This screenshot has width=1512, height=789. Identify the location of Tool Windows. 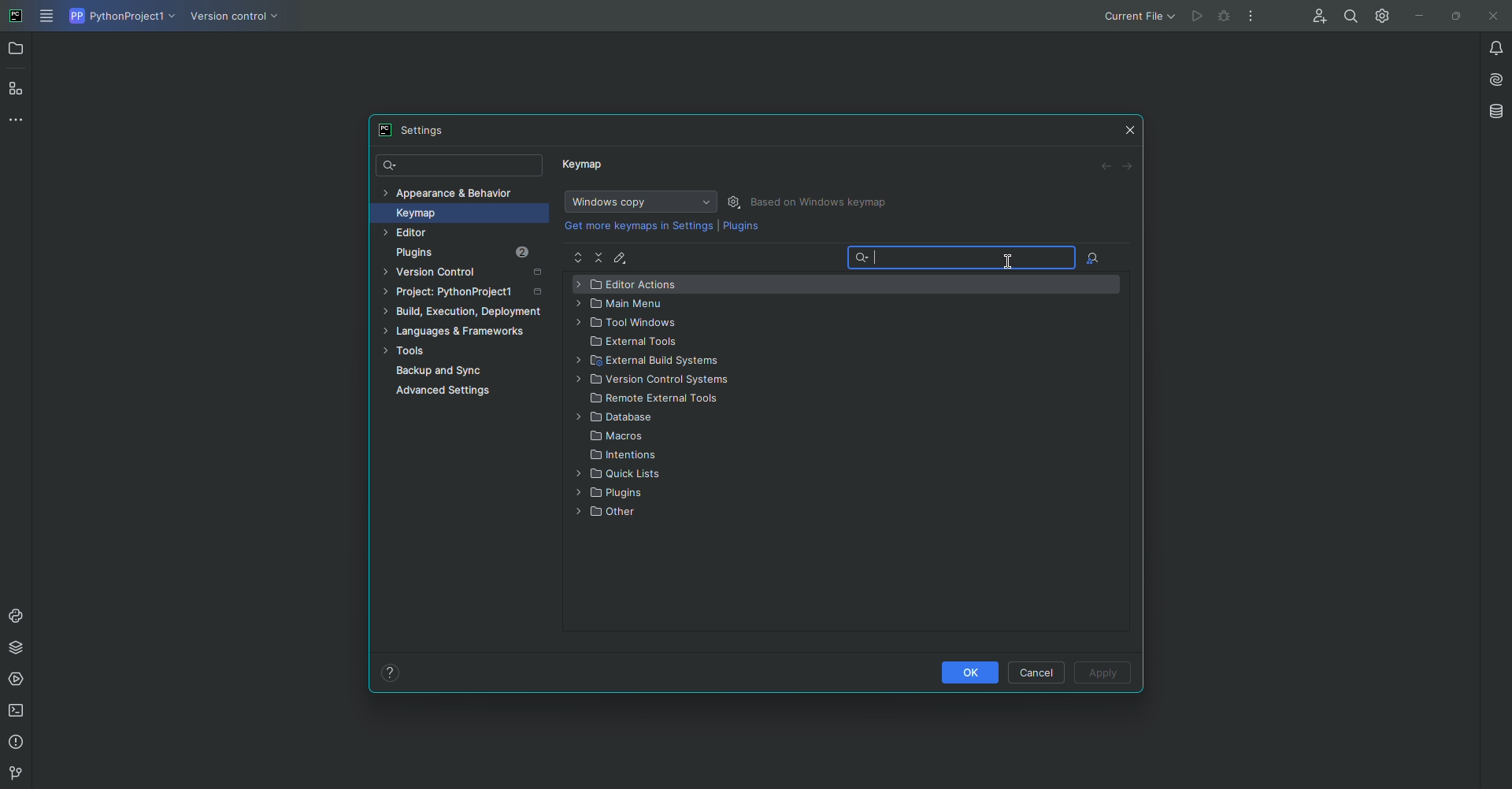
(629, 324).